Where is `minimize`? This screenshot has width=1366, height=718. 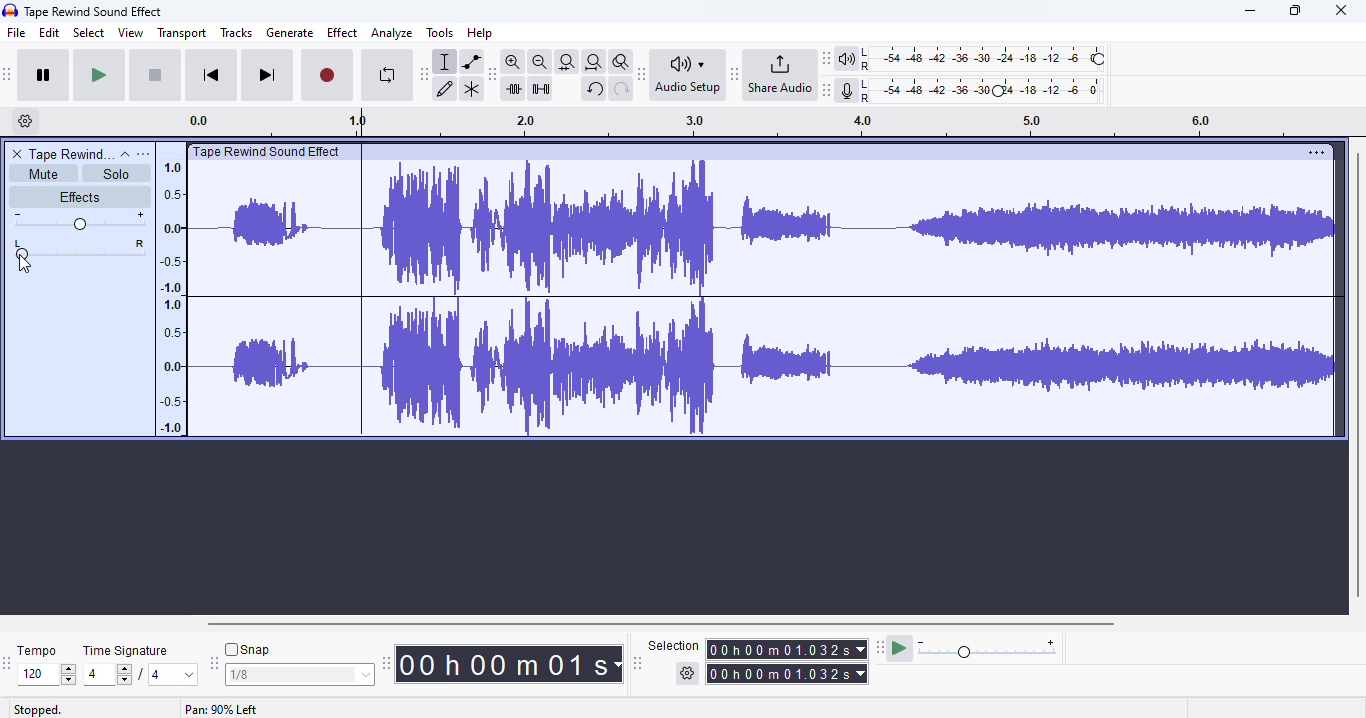
minimize is located at coordinates (1250, 10).